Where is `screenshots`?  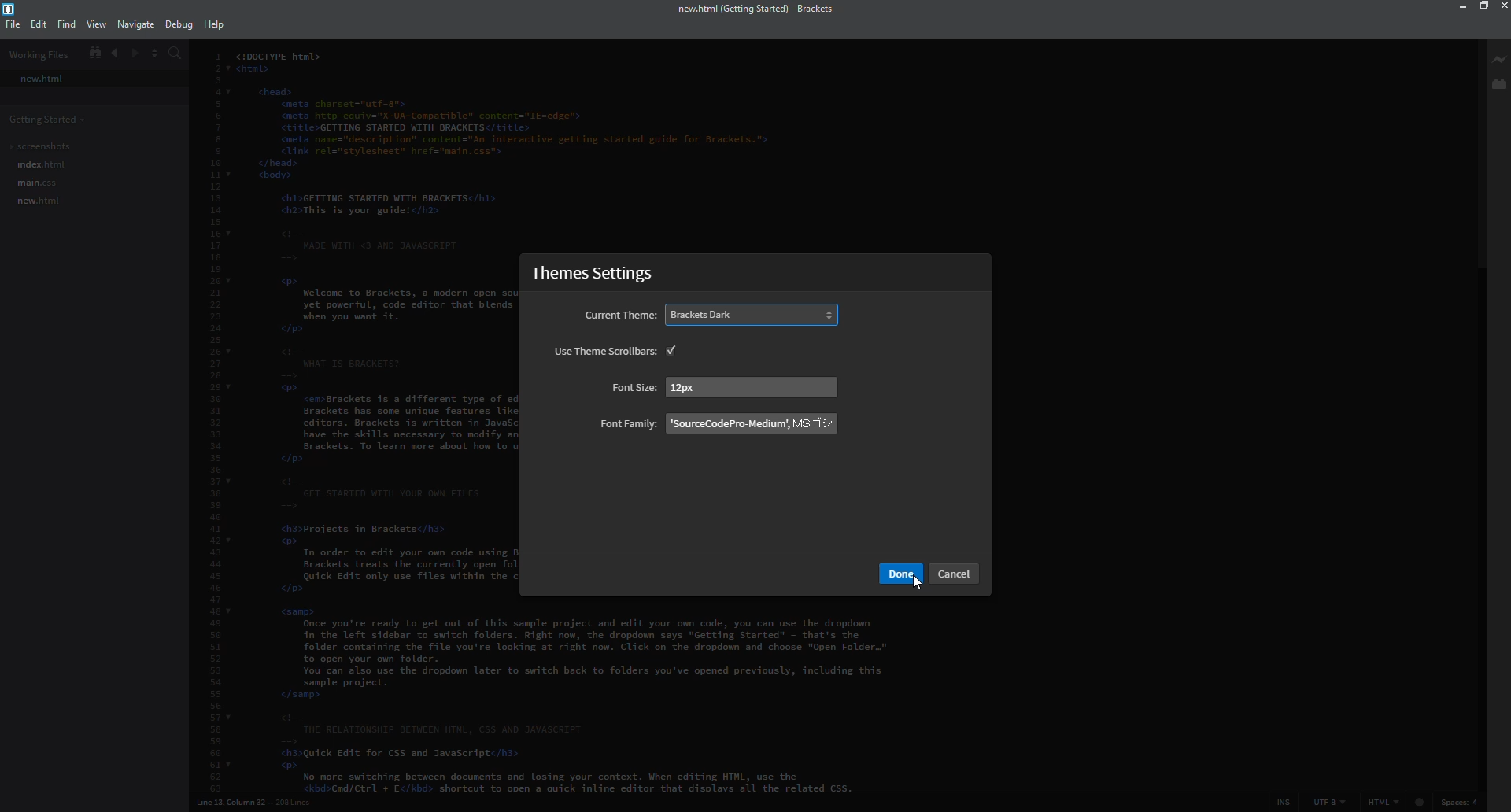
screenshots is located at coordinates (40, 146).